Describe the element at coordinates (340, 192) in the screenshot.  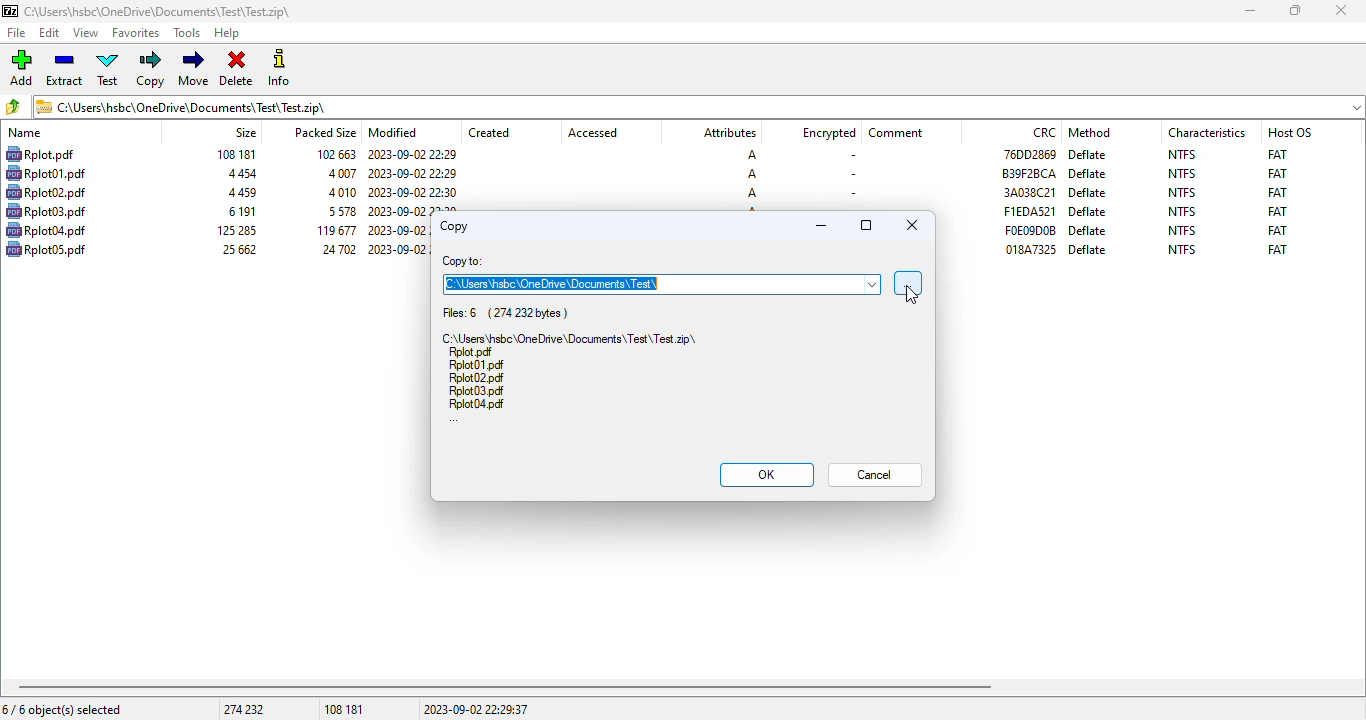
I see `packed size` at that location.